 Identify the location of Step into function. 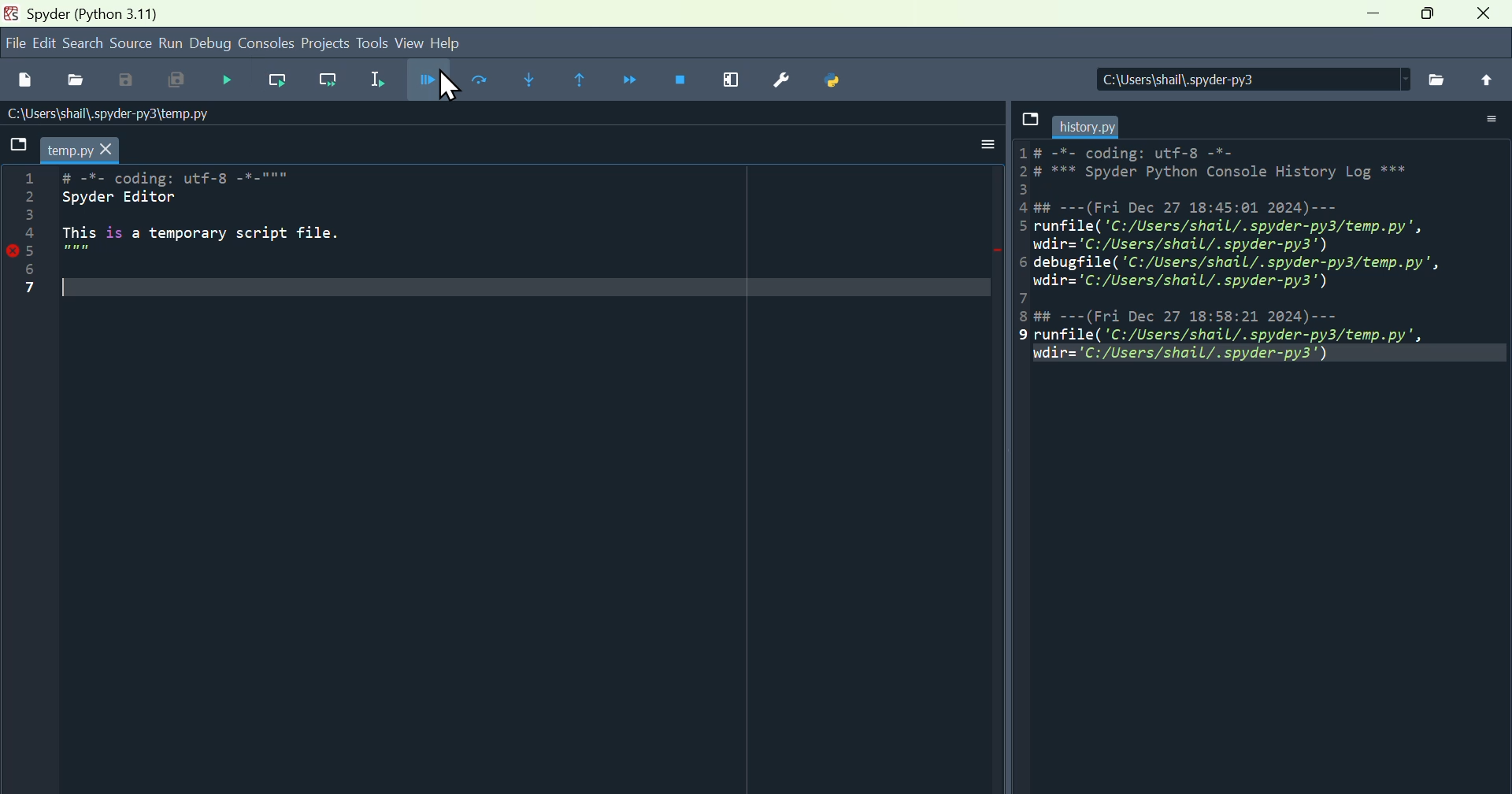
(531, 79).